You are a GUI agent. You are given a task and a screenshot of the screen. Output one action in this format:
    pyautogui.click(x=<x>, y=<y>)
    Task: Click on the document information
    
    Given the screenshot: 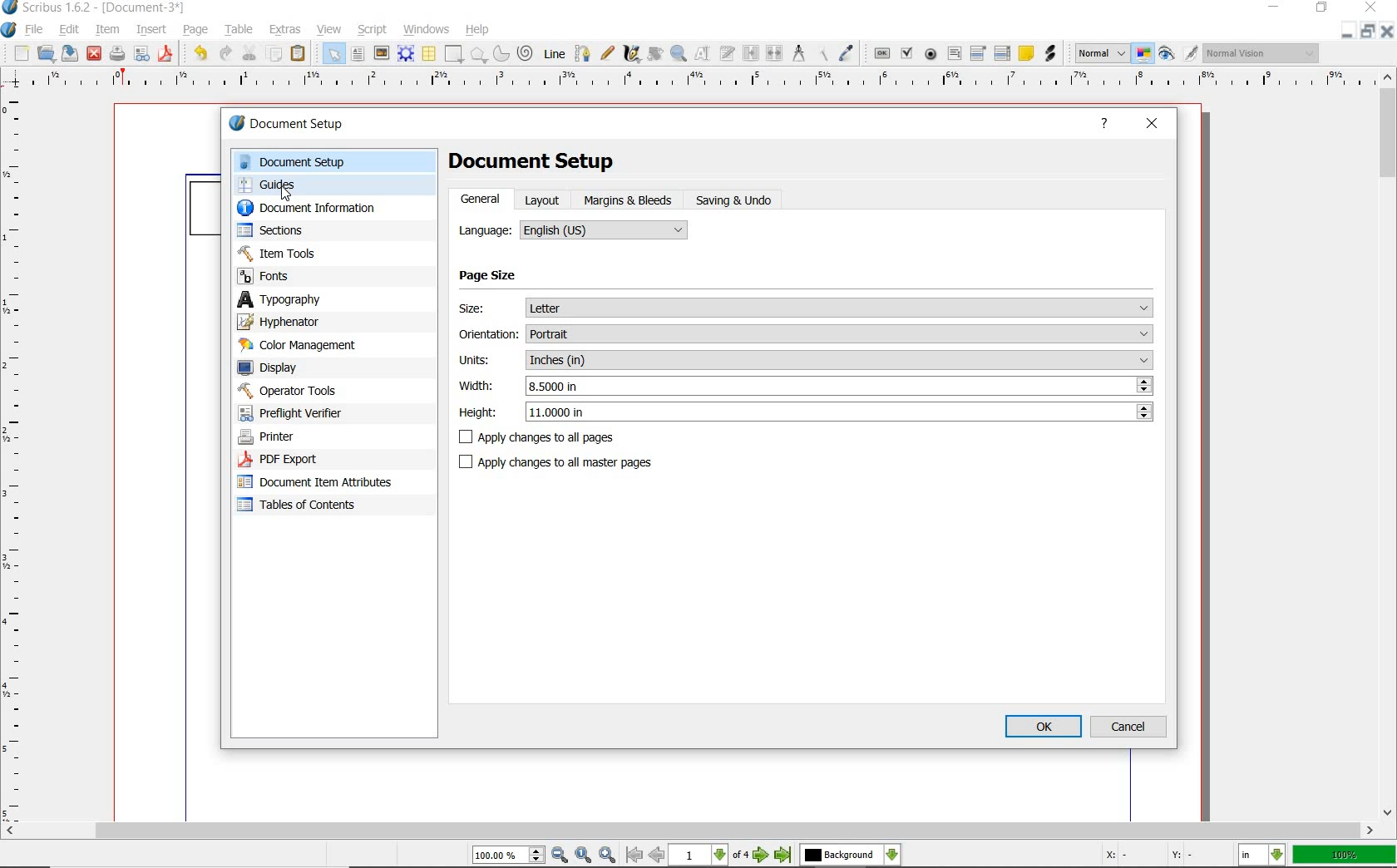 What is the action you would take?
    pyautogui.click(x=323, y=210)
    